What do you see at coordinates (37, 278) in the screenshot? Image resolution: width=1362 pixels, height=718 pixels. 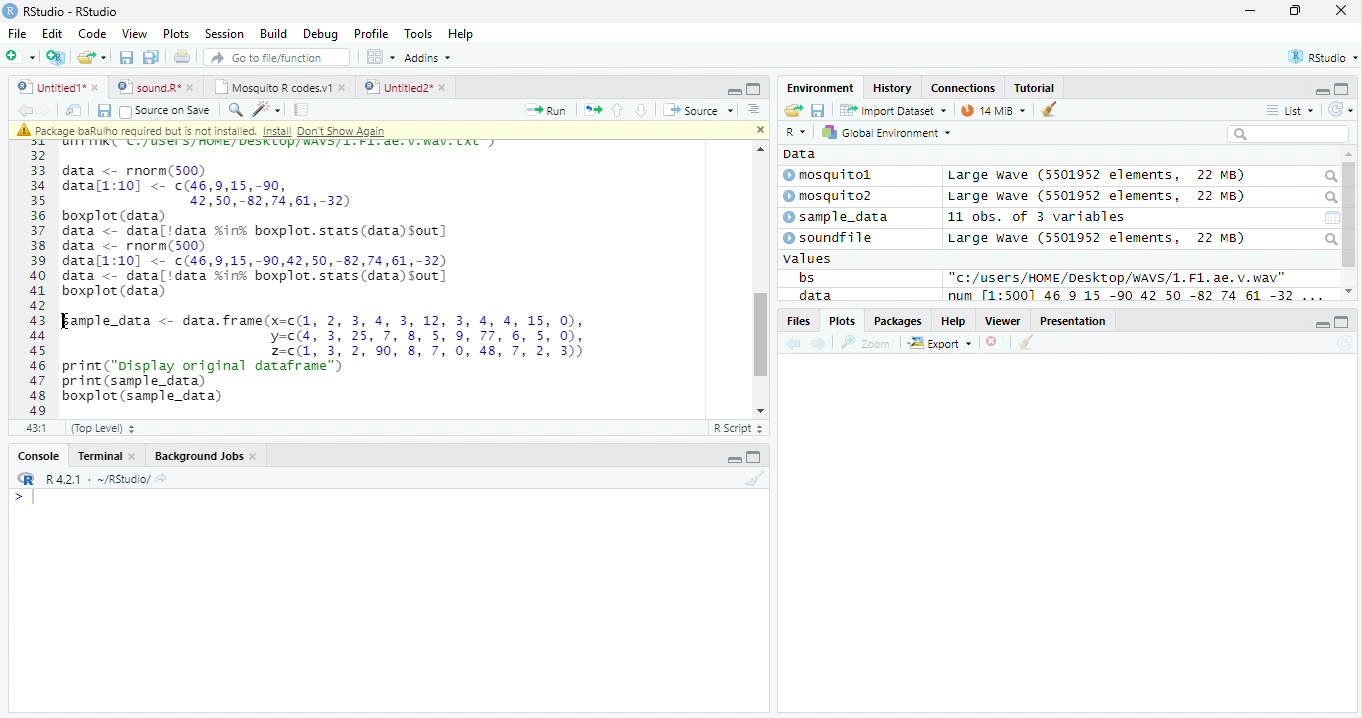 I see `Numbering line` at bounding box center [37, 278].